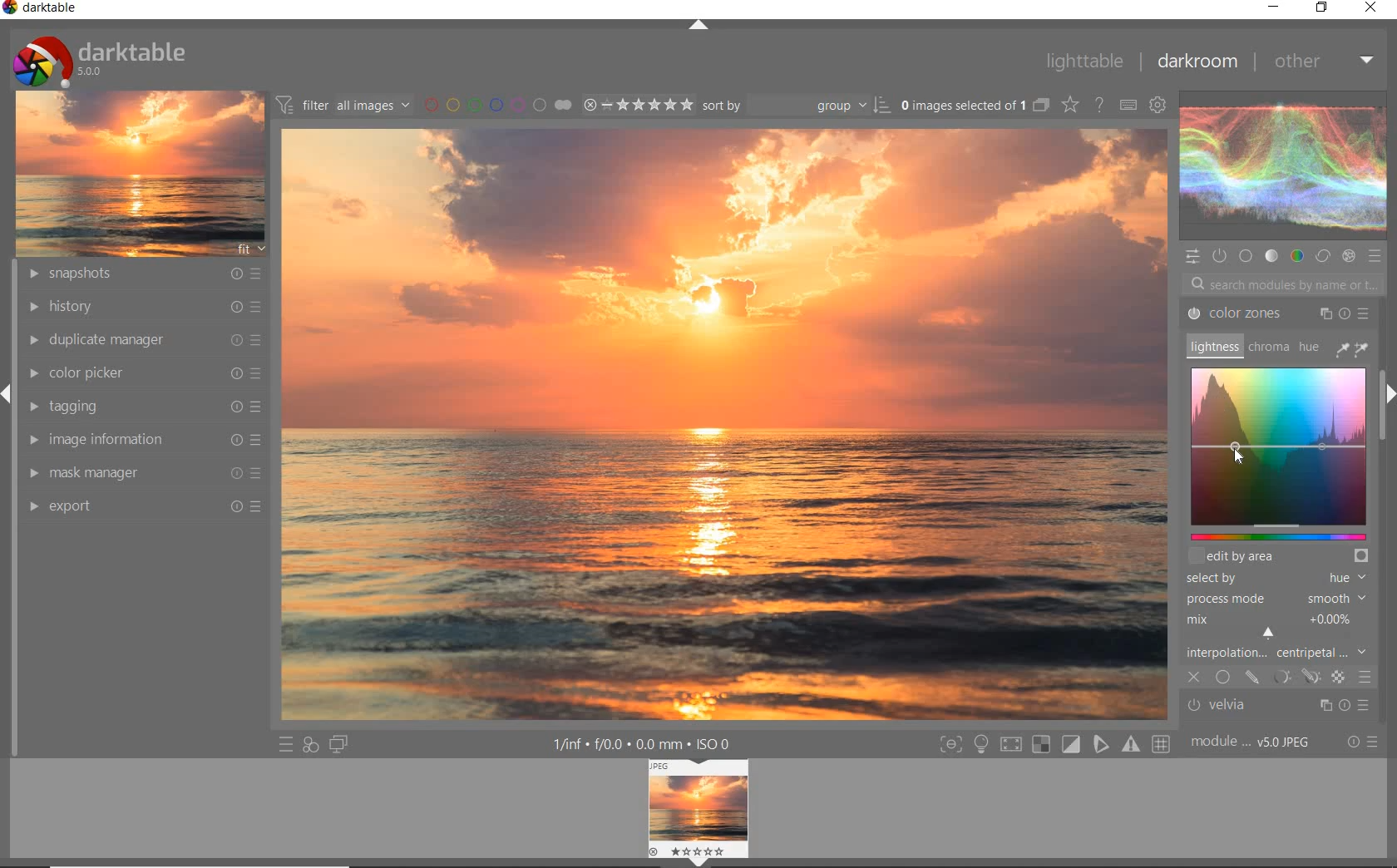 The width and height of the screenshot is (1397, 868). I want to click on BLENDING OPTIONS, so click(1365, 678).